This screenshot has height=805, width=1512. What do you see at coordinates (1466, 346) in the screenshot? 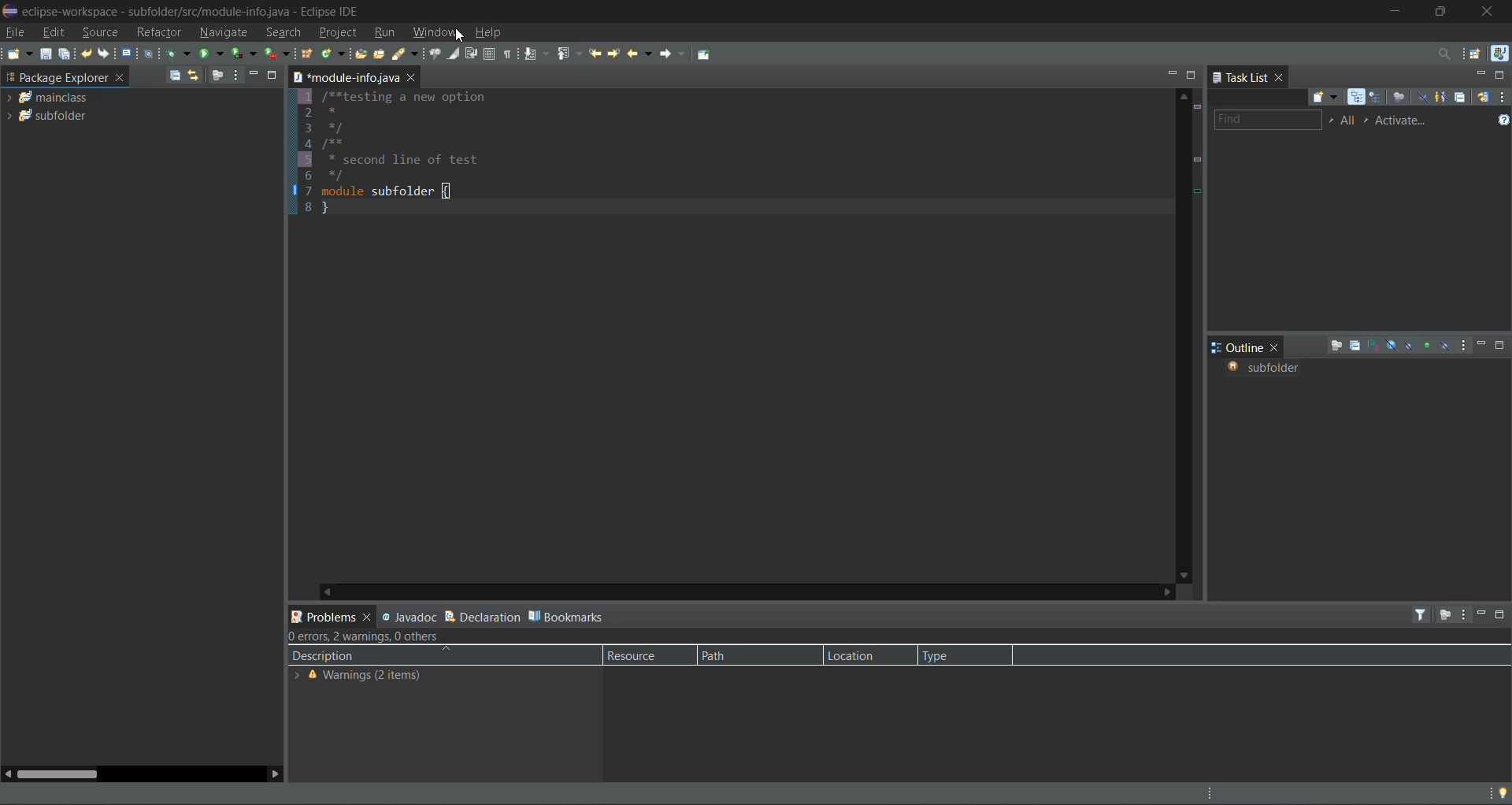
I see `VIEW MENU` at bounding box center [1466, 346].